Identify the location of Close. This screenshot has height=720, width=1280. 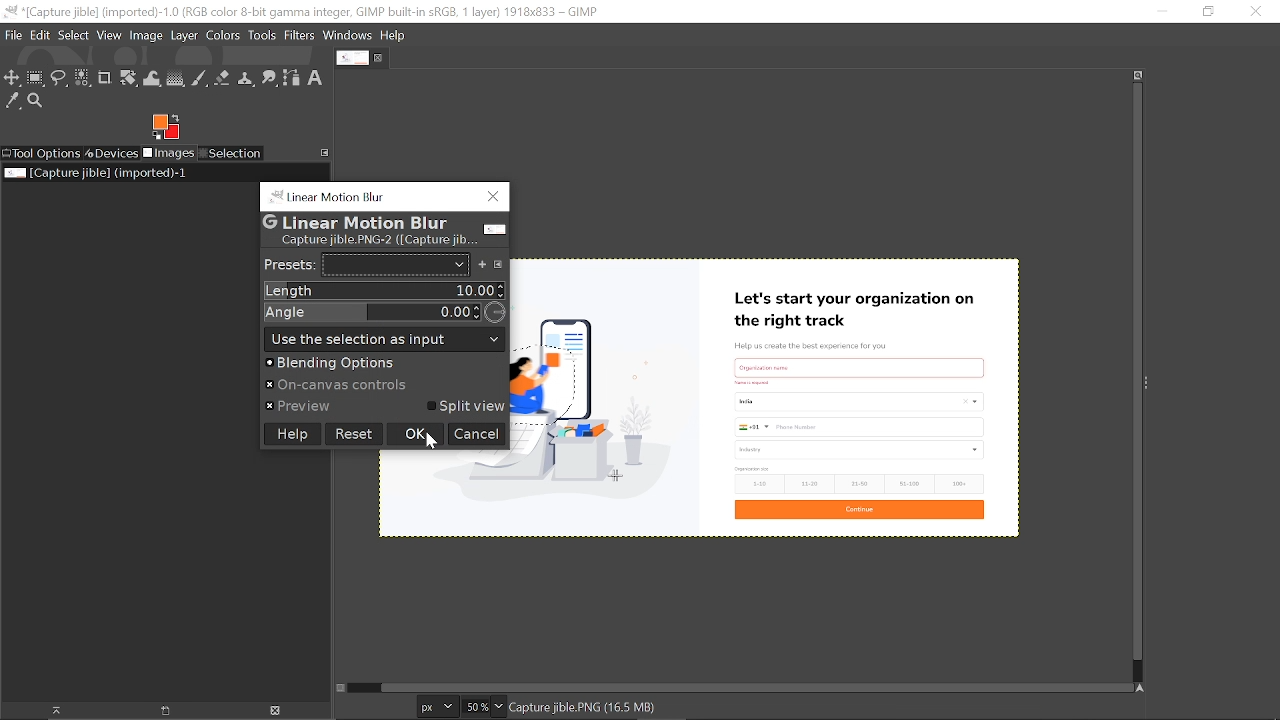
(1256, 11).